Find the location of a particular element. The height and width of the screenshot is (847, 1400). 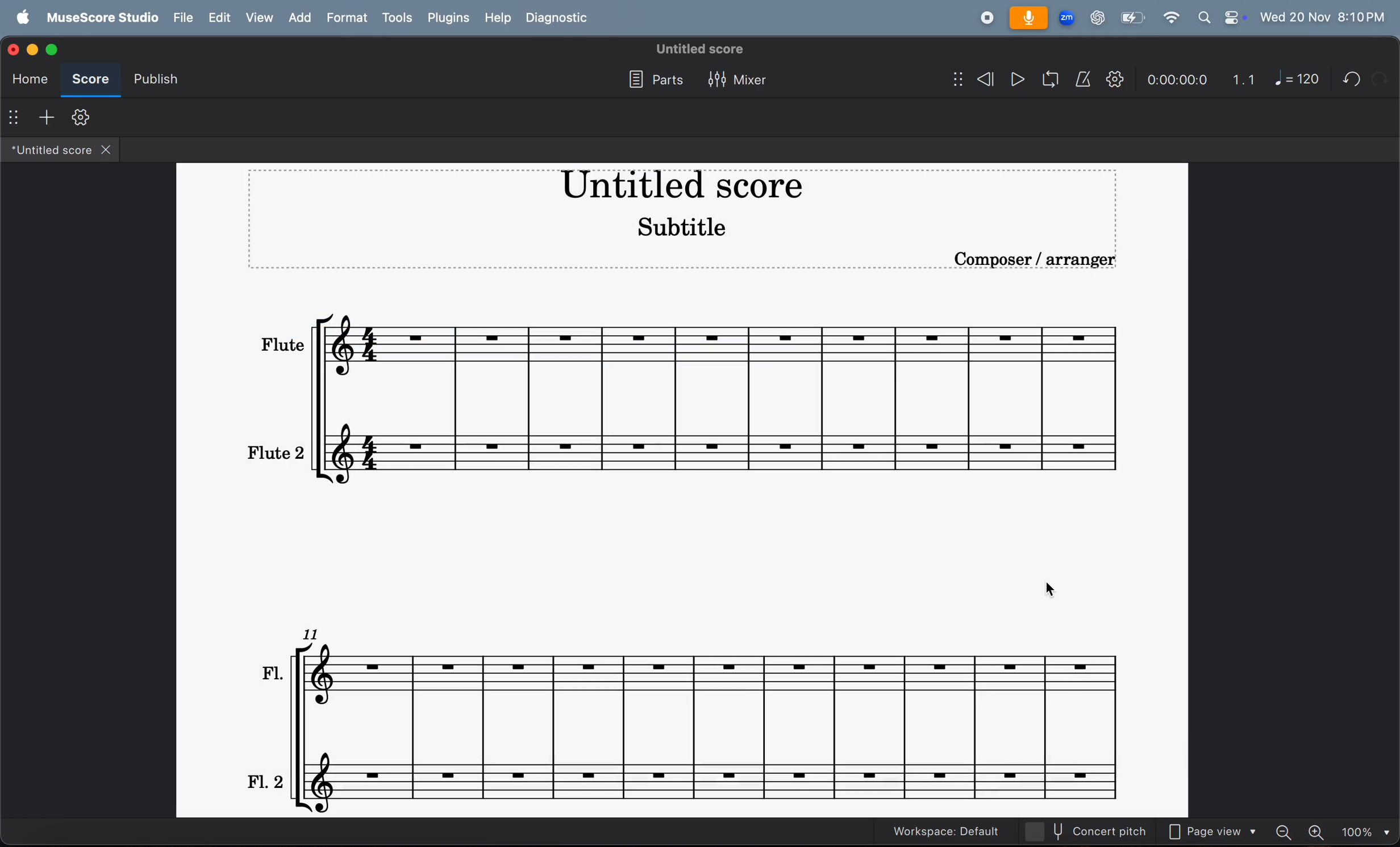

compose/arranger is located at coordinates (995, 260).